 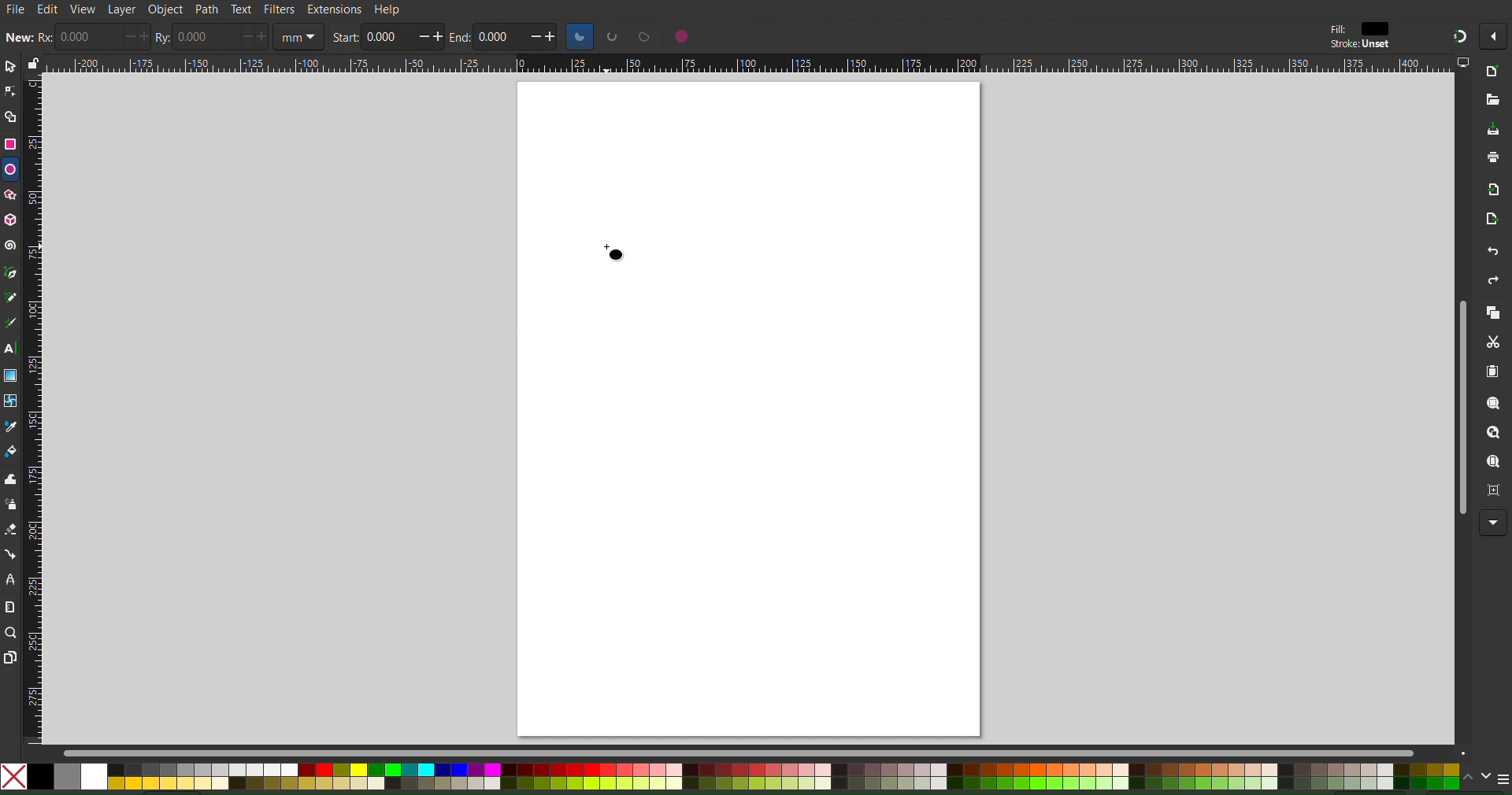 I want to click on Color Picker Tool, so click(x=11, y=427).